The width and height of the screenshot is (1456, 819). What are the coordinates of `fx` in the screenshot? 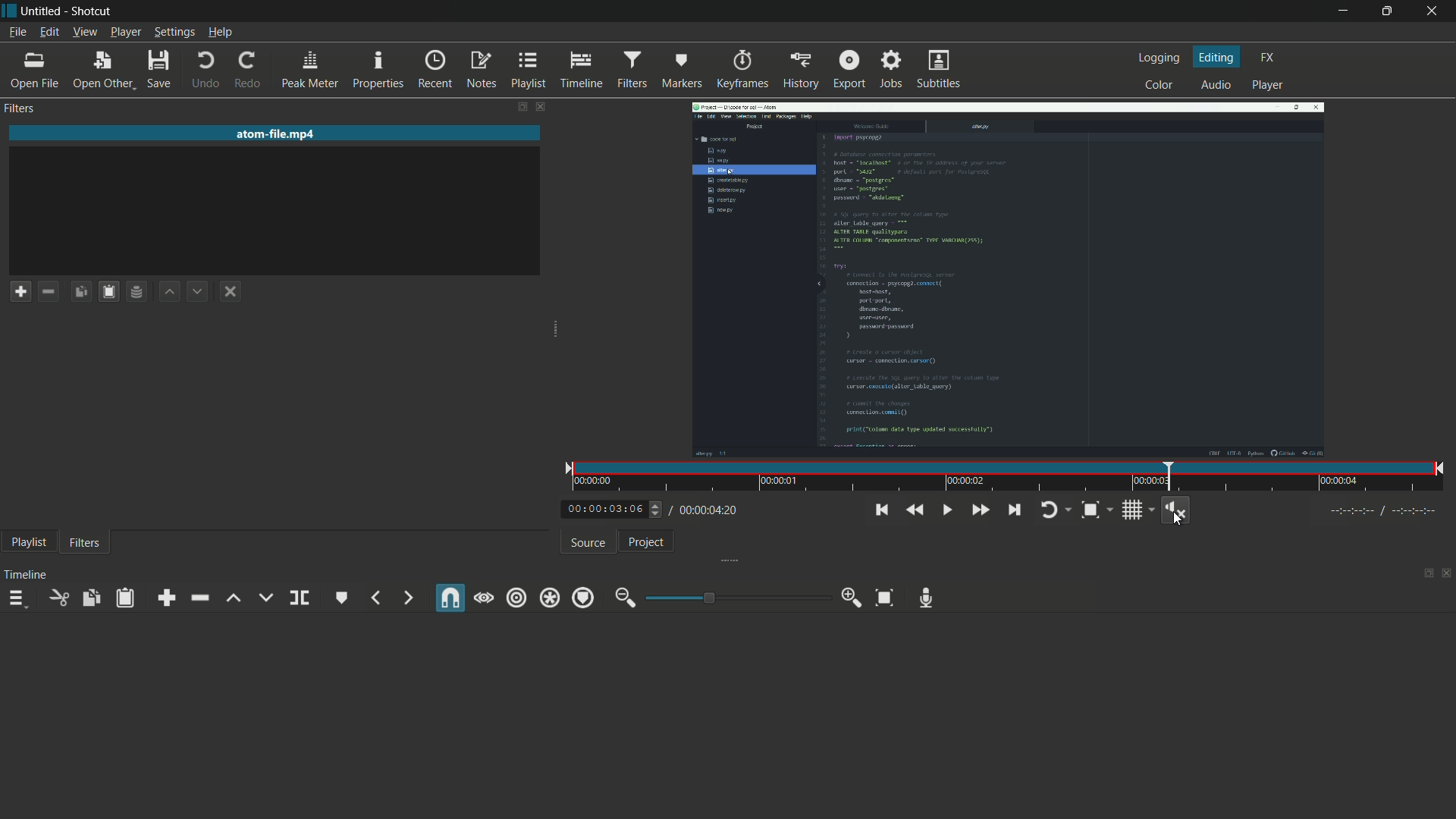 It's located at (1268, 55).